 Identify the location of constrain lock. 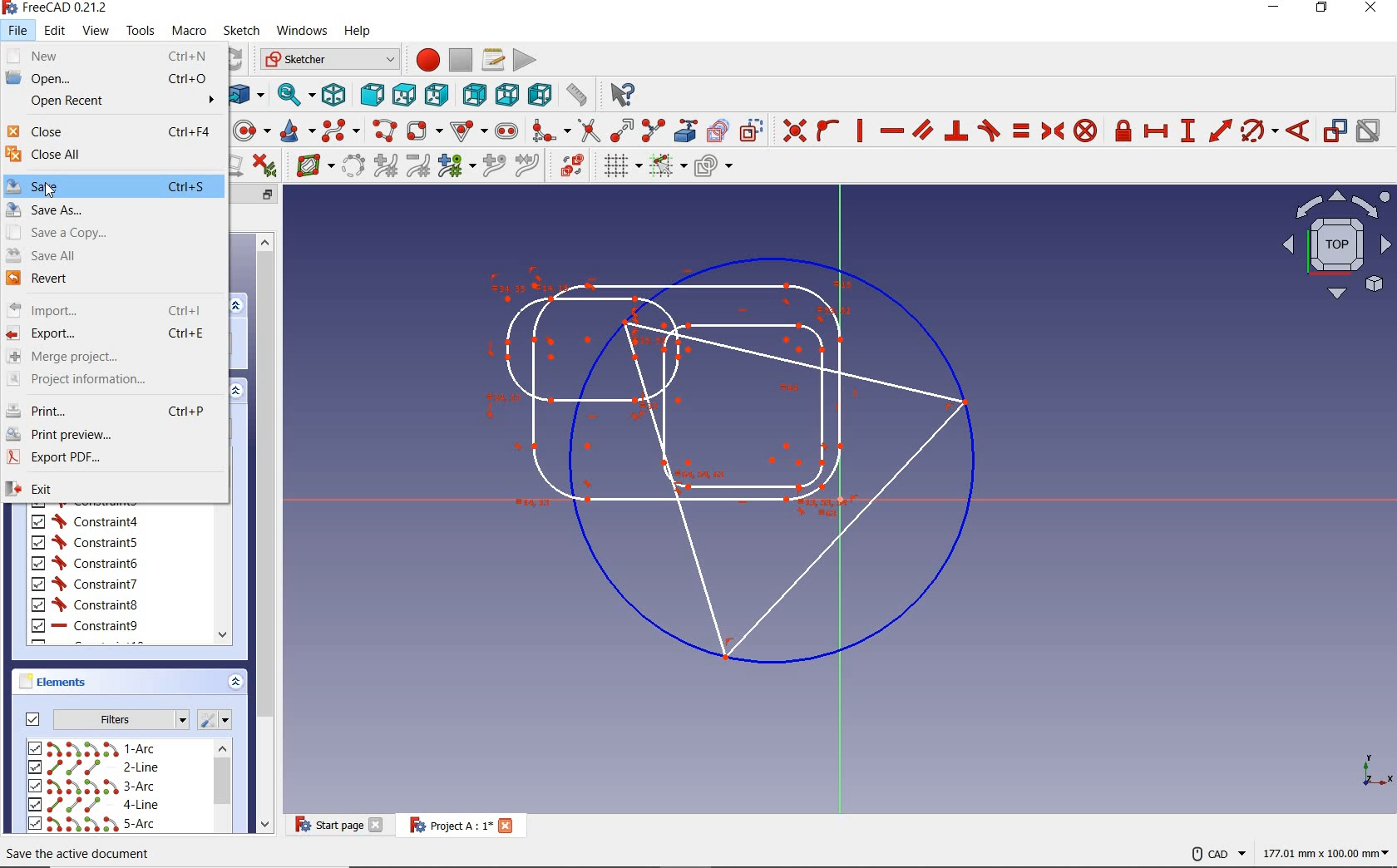
(1123, 132).